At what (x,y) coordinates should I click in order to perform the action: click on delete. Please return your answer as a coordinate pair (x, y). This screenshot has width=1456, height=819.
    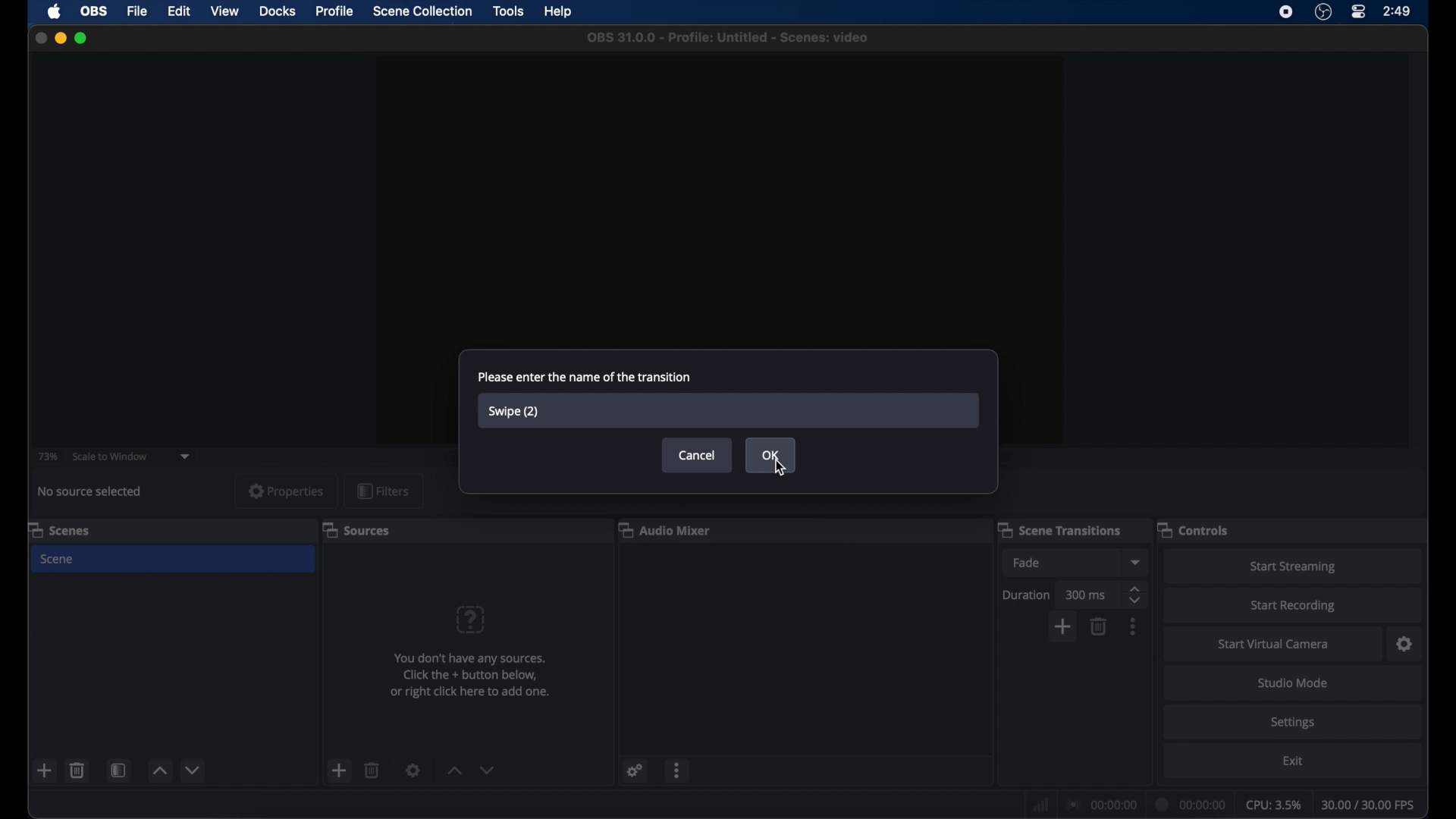
    Looking at the image, I should click on (77, 770).